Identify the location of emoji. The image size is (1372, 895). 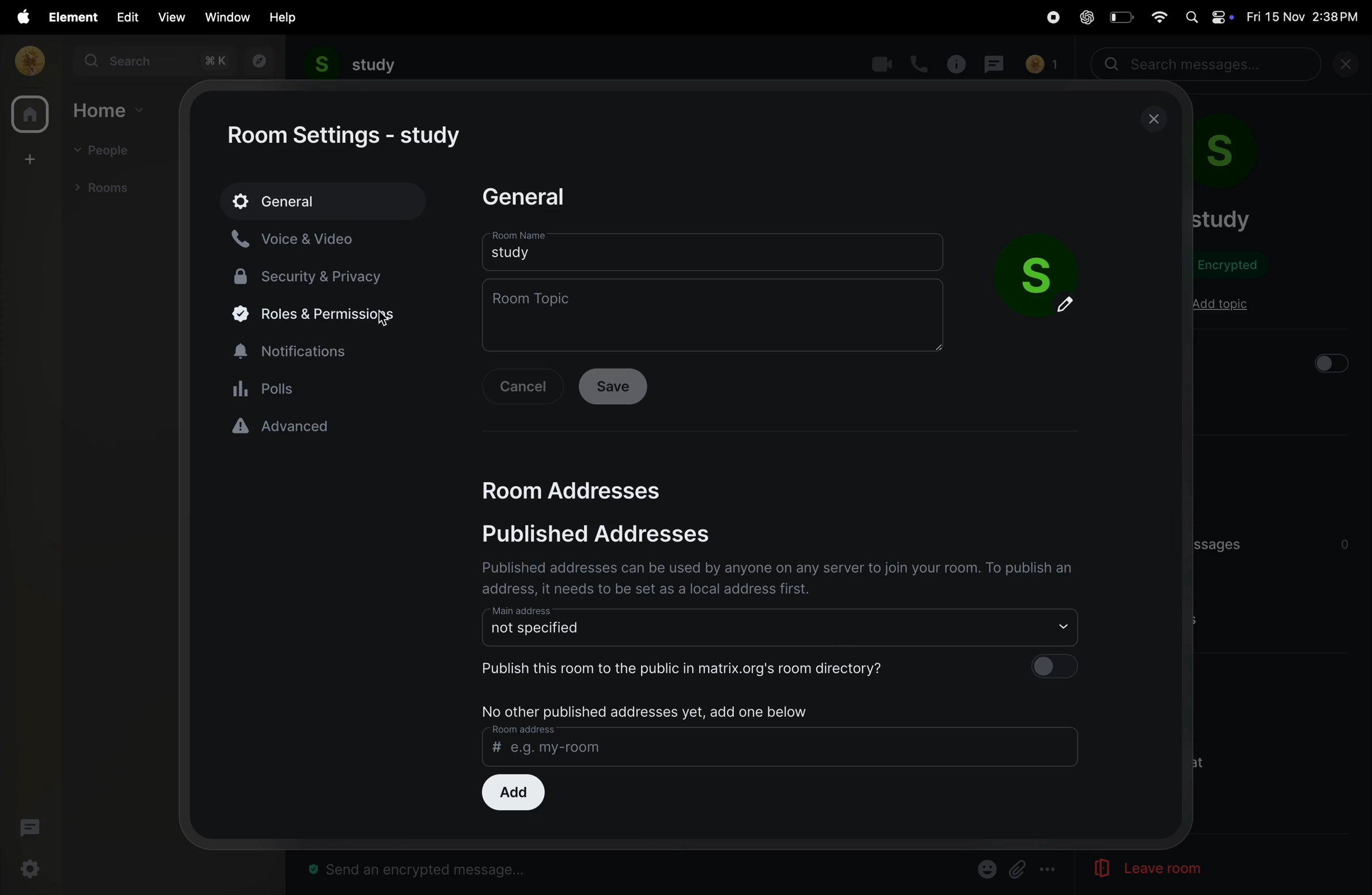
(985, 868).